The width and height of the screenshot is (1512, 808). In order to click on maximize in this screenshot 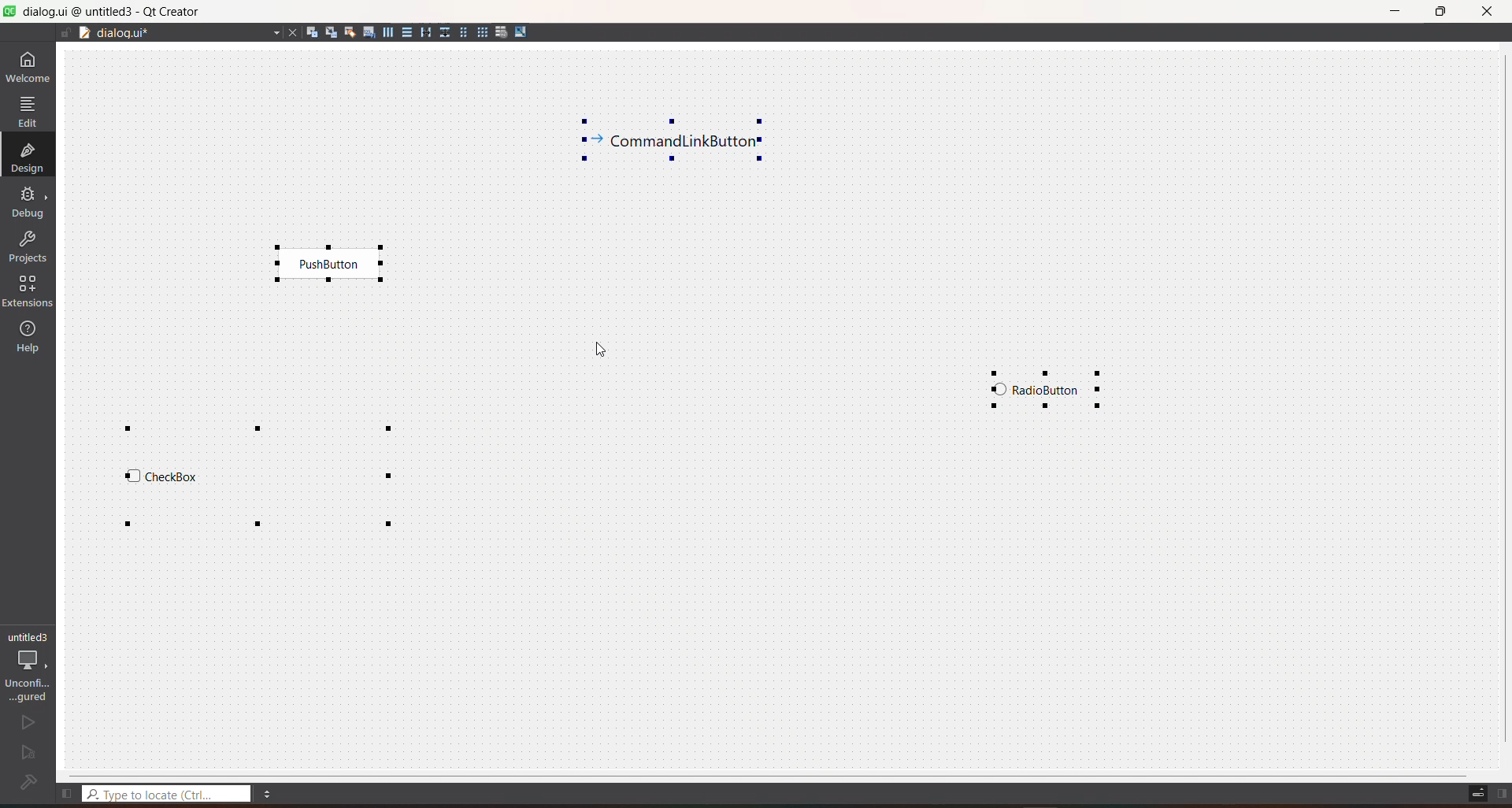, I will do `click(1441, 15)`.